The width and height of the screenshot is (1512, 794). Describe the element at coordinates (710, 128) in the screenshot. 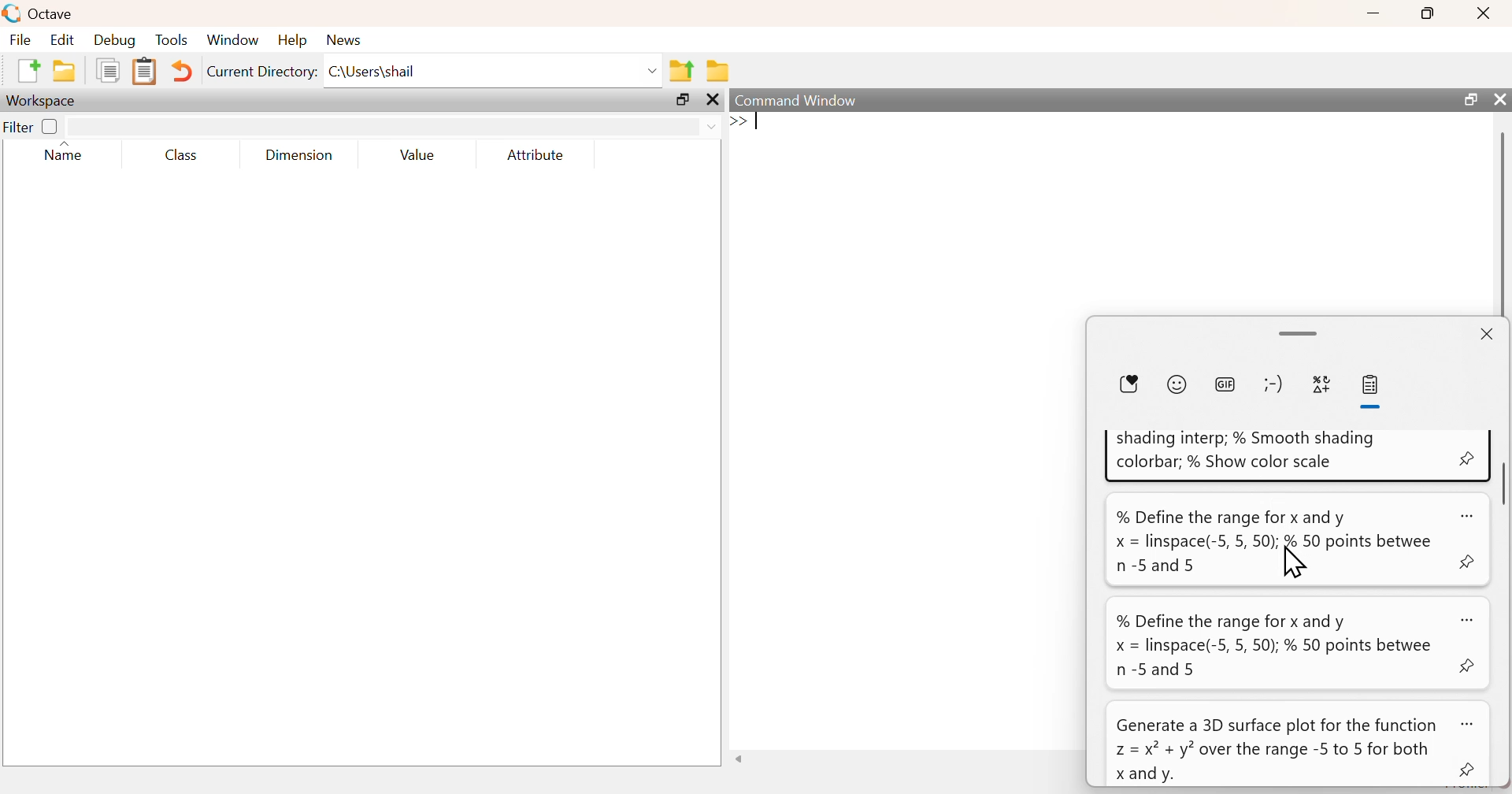

I see `dropdown` at that location.